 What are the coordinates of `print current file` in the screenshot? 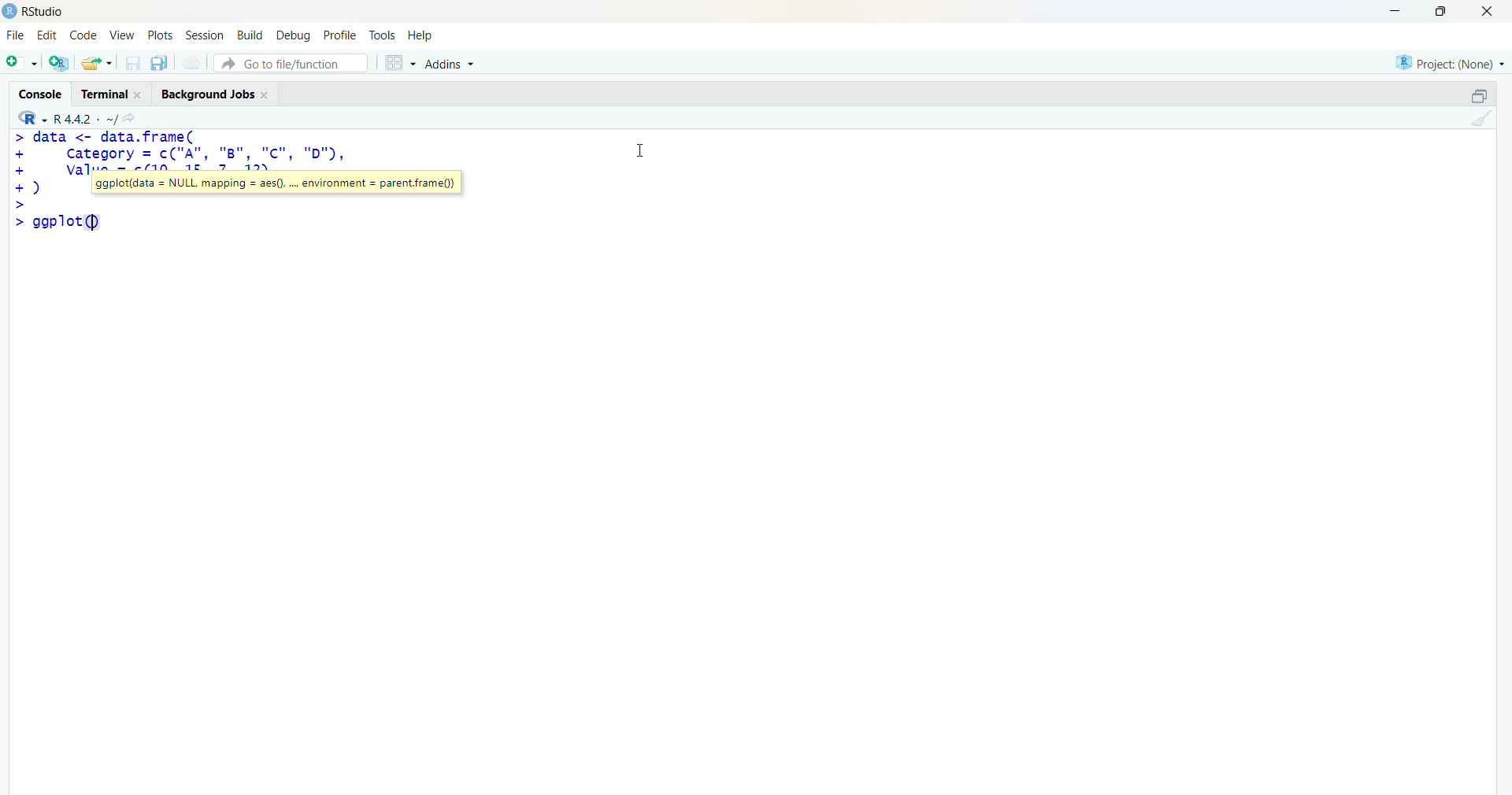 It's located at (190, 62).